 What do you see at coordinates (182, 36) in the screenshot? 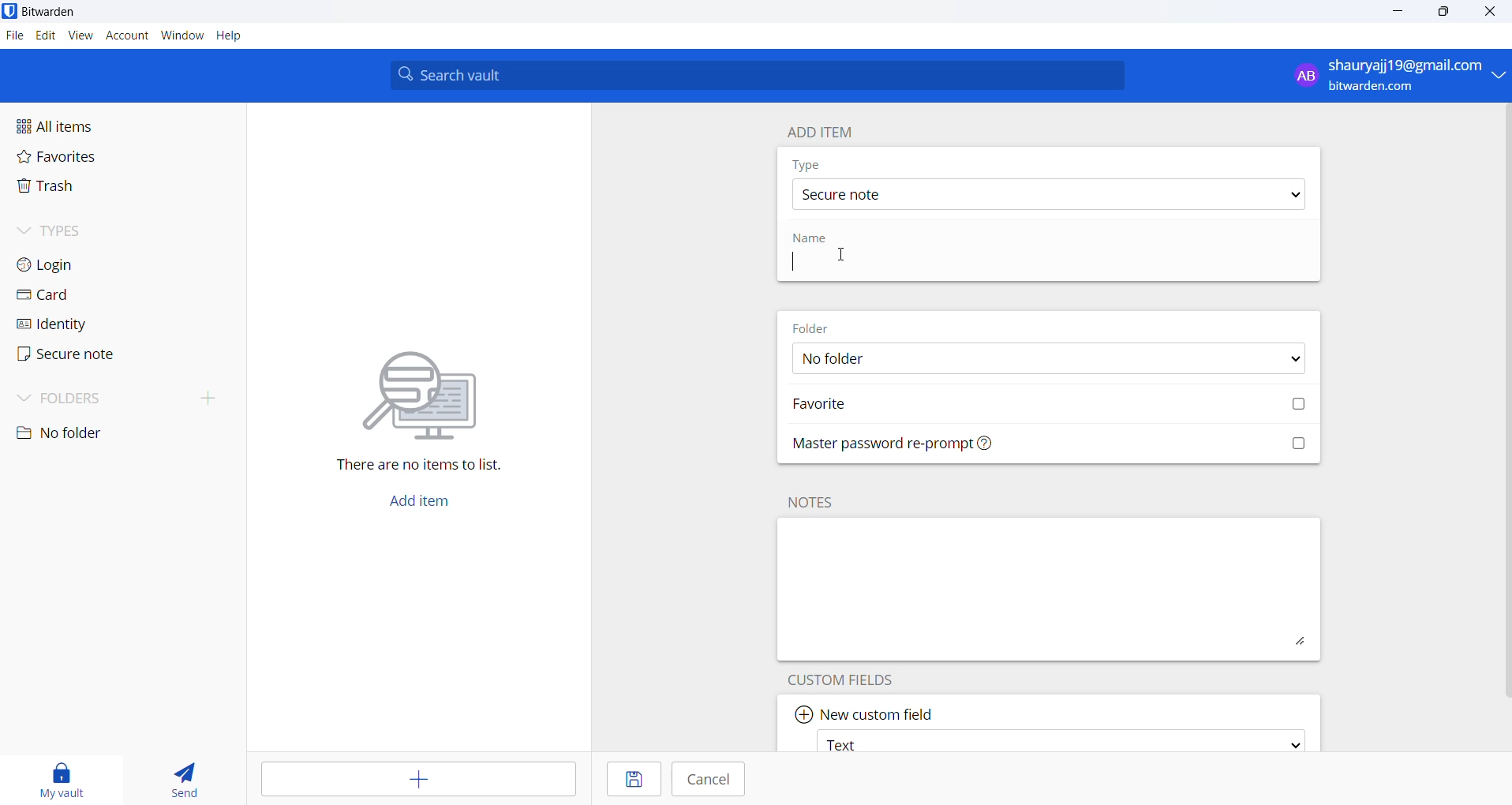
I see `window` at bounding box center [182, 36].